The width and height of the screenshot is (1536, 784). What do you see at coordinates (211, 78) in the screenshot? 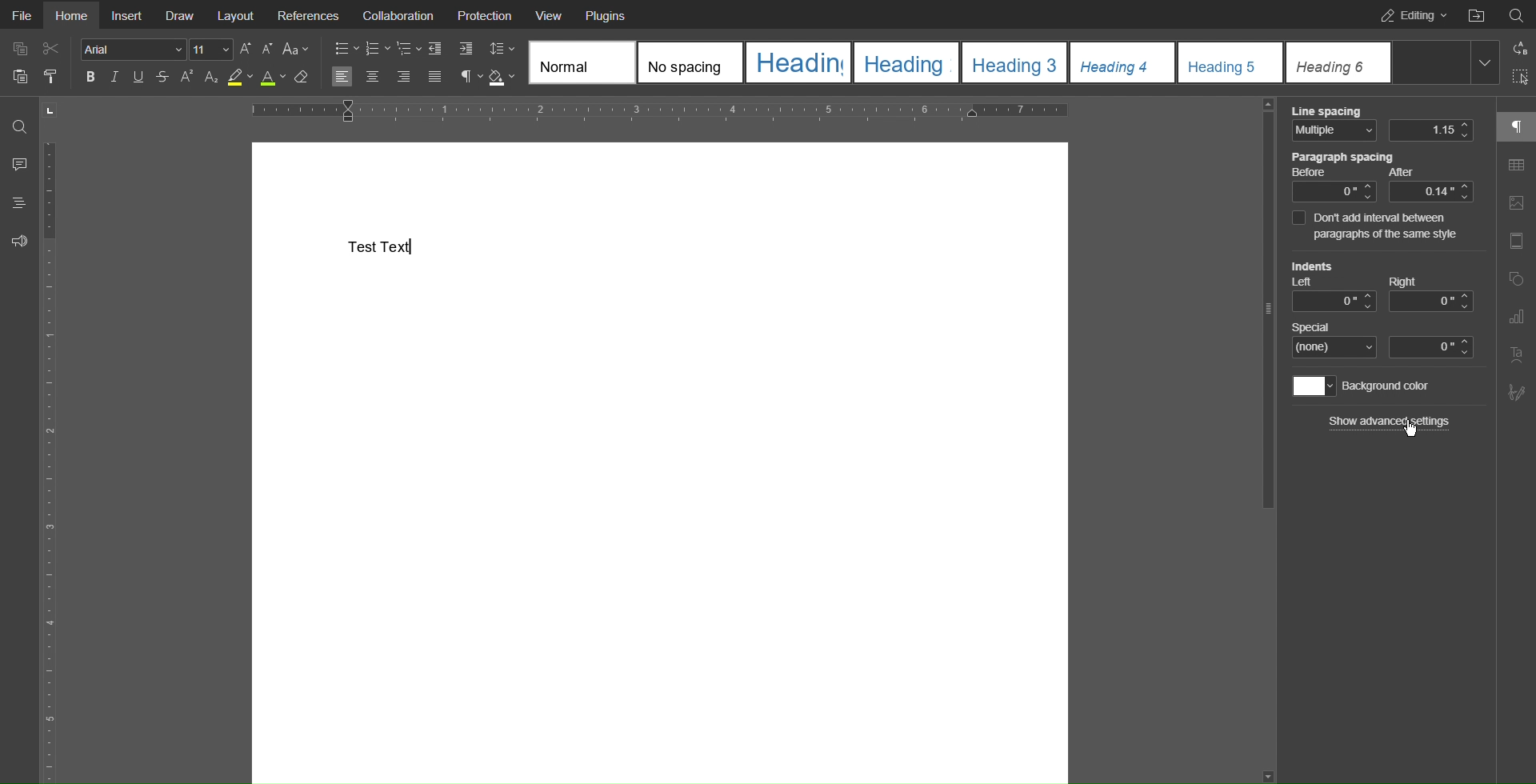
I see `Subscript` at bounding box center [211, 78].